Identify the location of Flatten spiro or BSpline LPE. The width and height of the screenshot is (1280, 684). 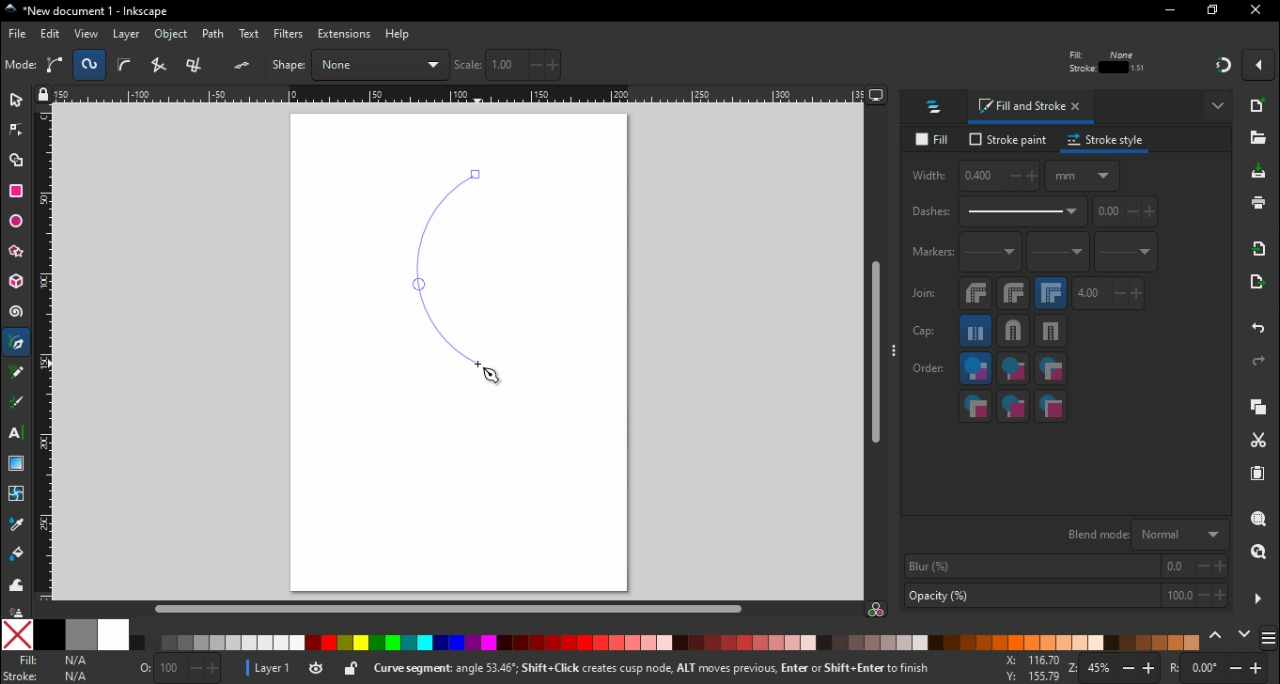
(244, 65).